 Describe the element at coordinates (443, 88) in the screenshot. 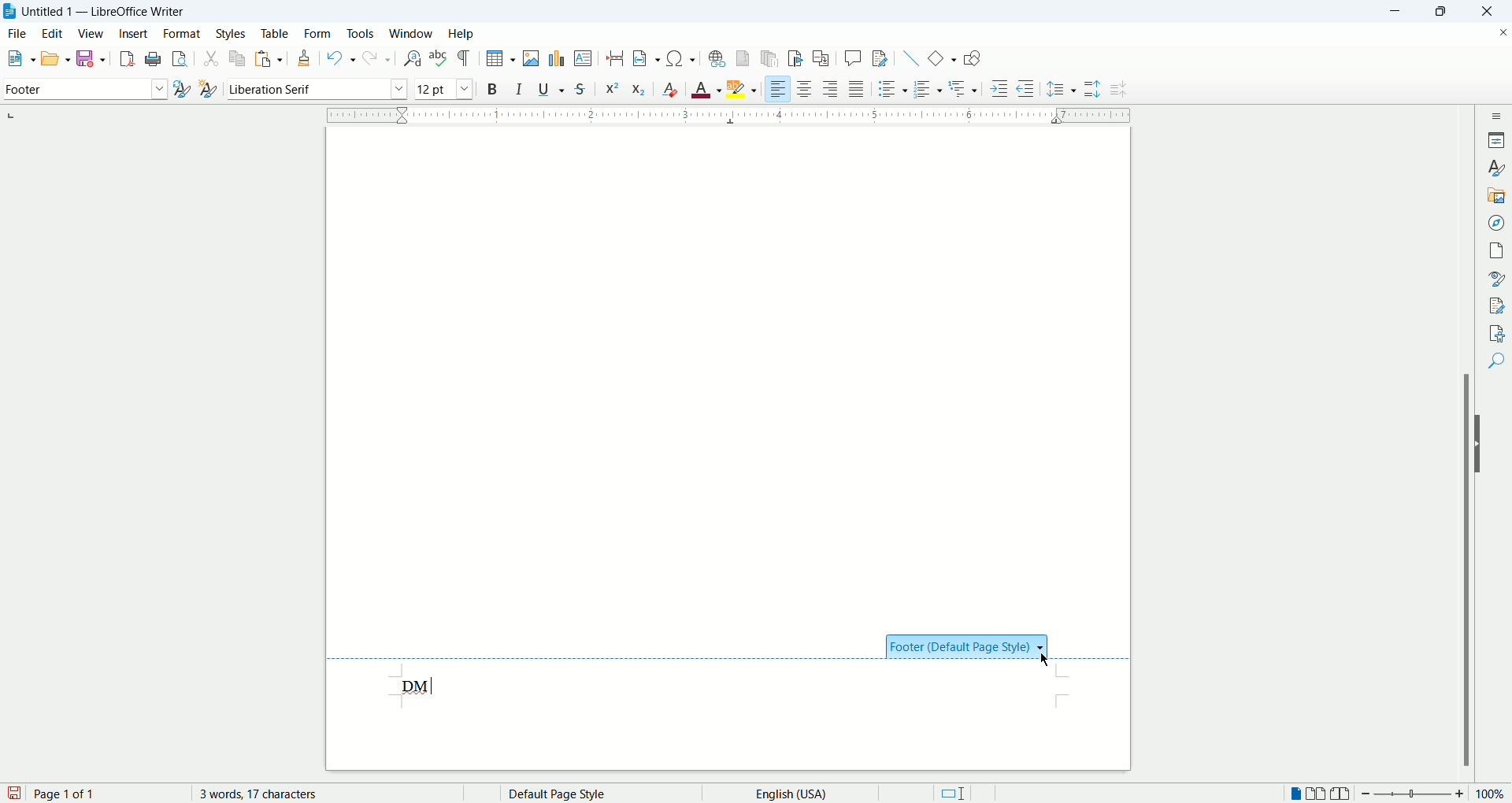

I see `font size` at that location.